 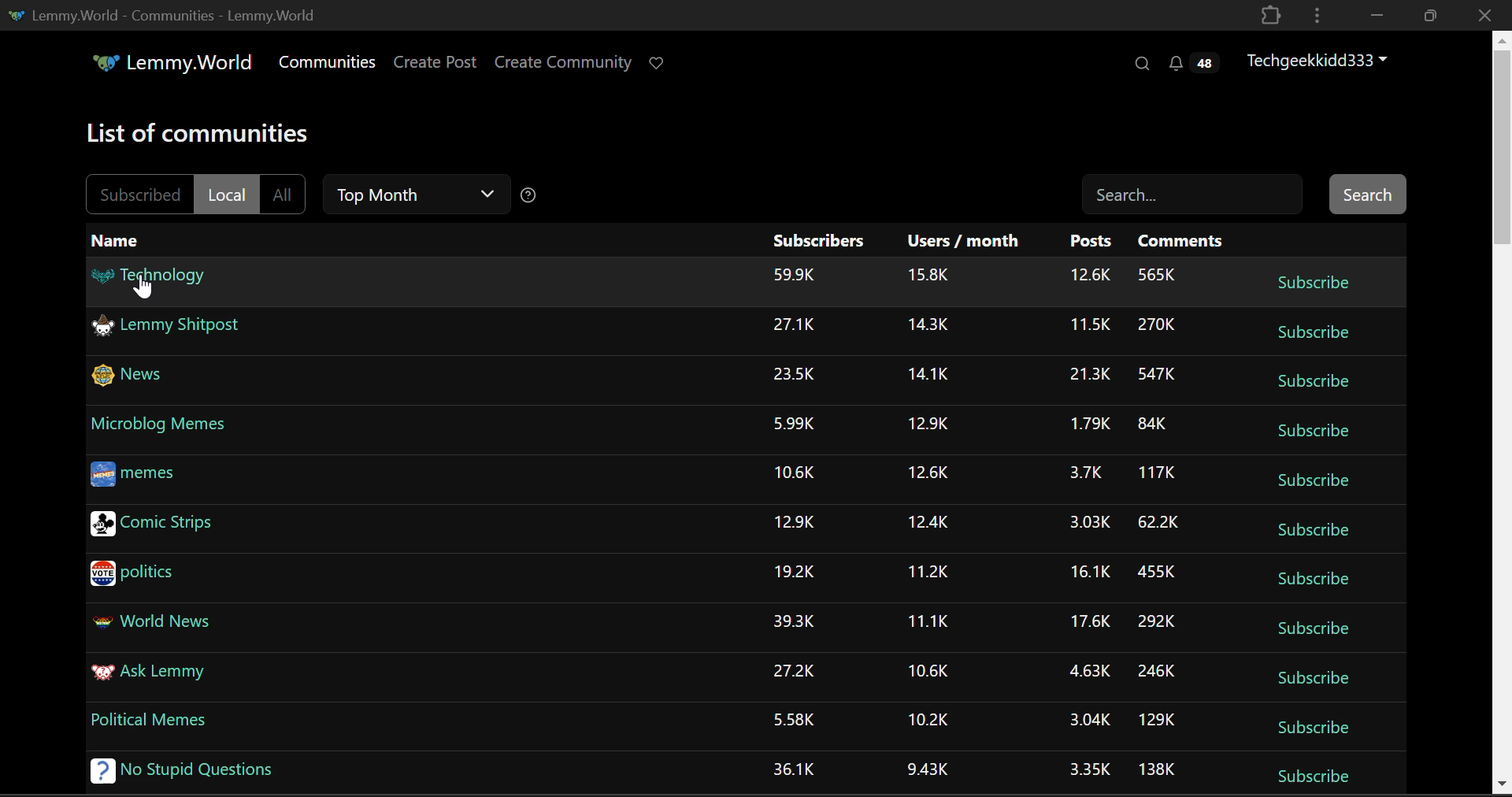 What do you see at coordinates (1318, 58) in the screenshot?
I see `Techgeekkidd333` at bounding box center [1318, 58].